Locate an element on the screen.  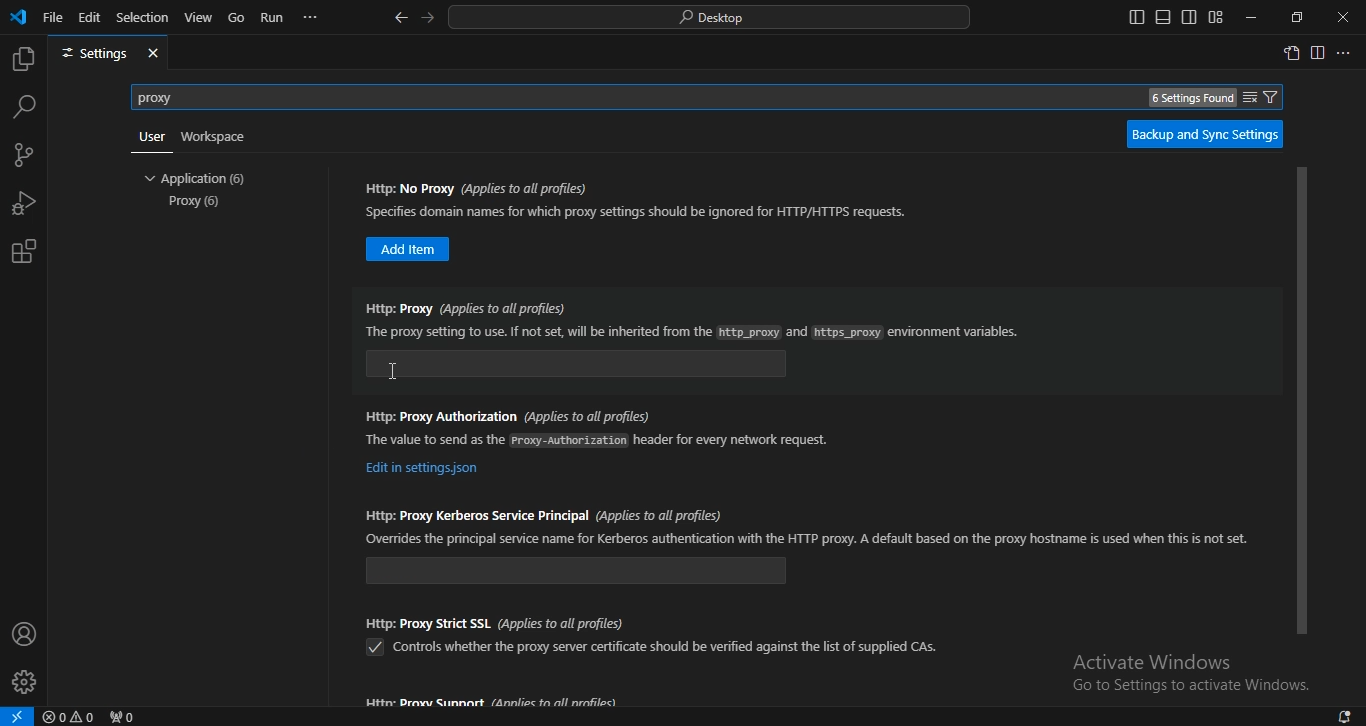
toggle primary side bar is located at coordinates (1134, 18).